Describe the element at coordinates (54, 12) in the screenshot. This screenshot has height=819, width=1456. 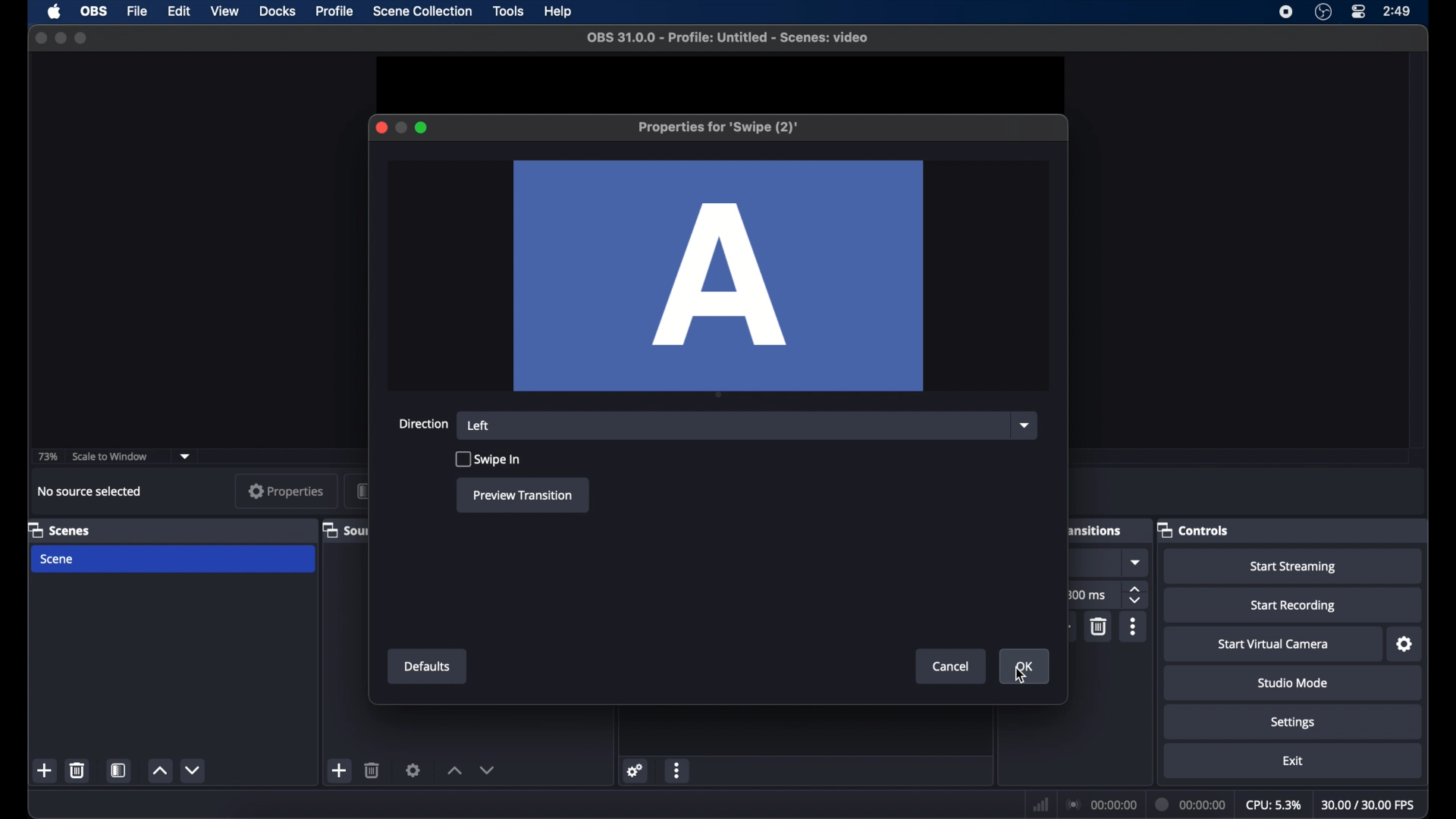
I see `apple icon` at that location.